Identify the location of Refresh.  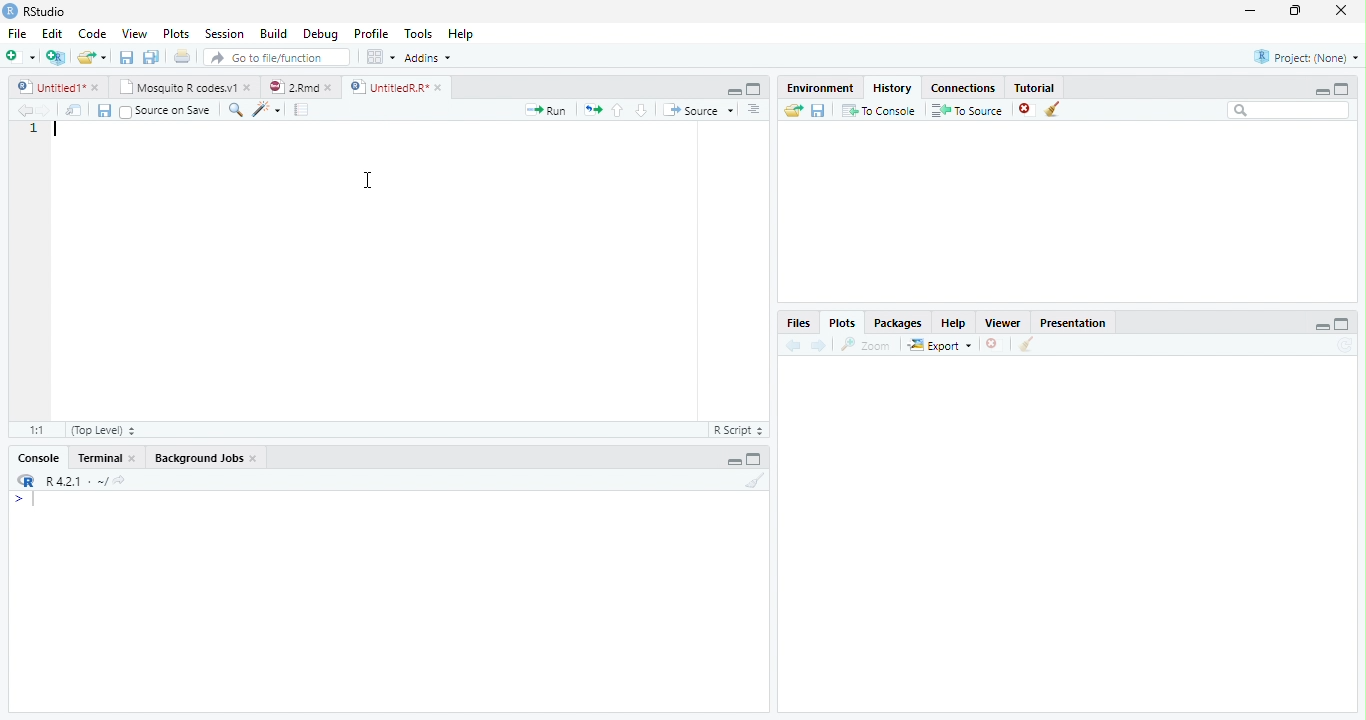
(1348, 345).